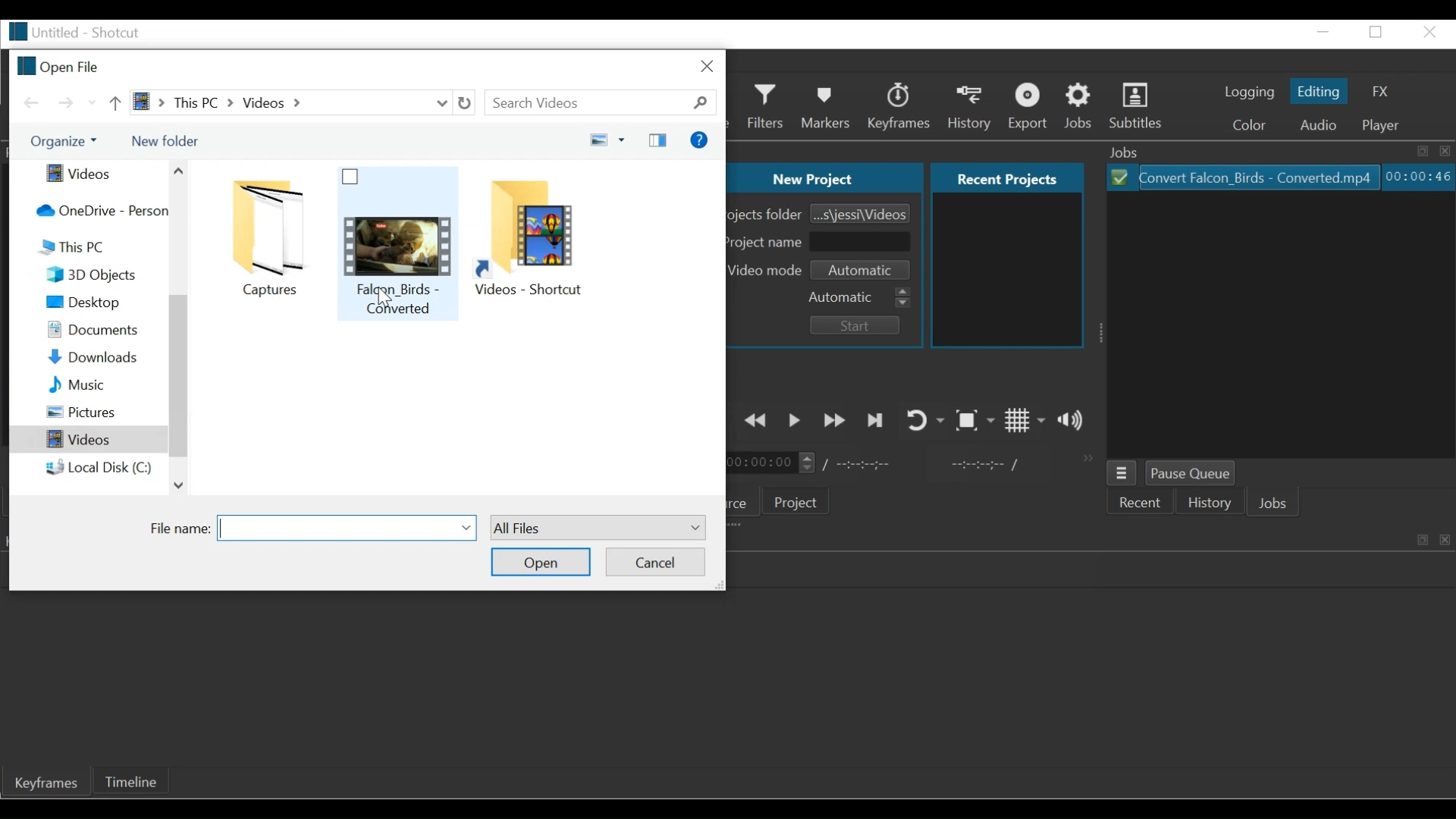  I want to click on Local Disk C, so click(99, 467).